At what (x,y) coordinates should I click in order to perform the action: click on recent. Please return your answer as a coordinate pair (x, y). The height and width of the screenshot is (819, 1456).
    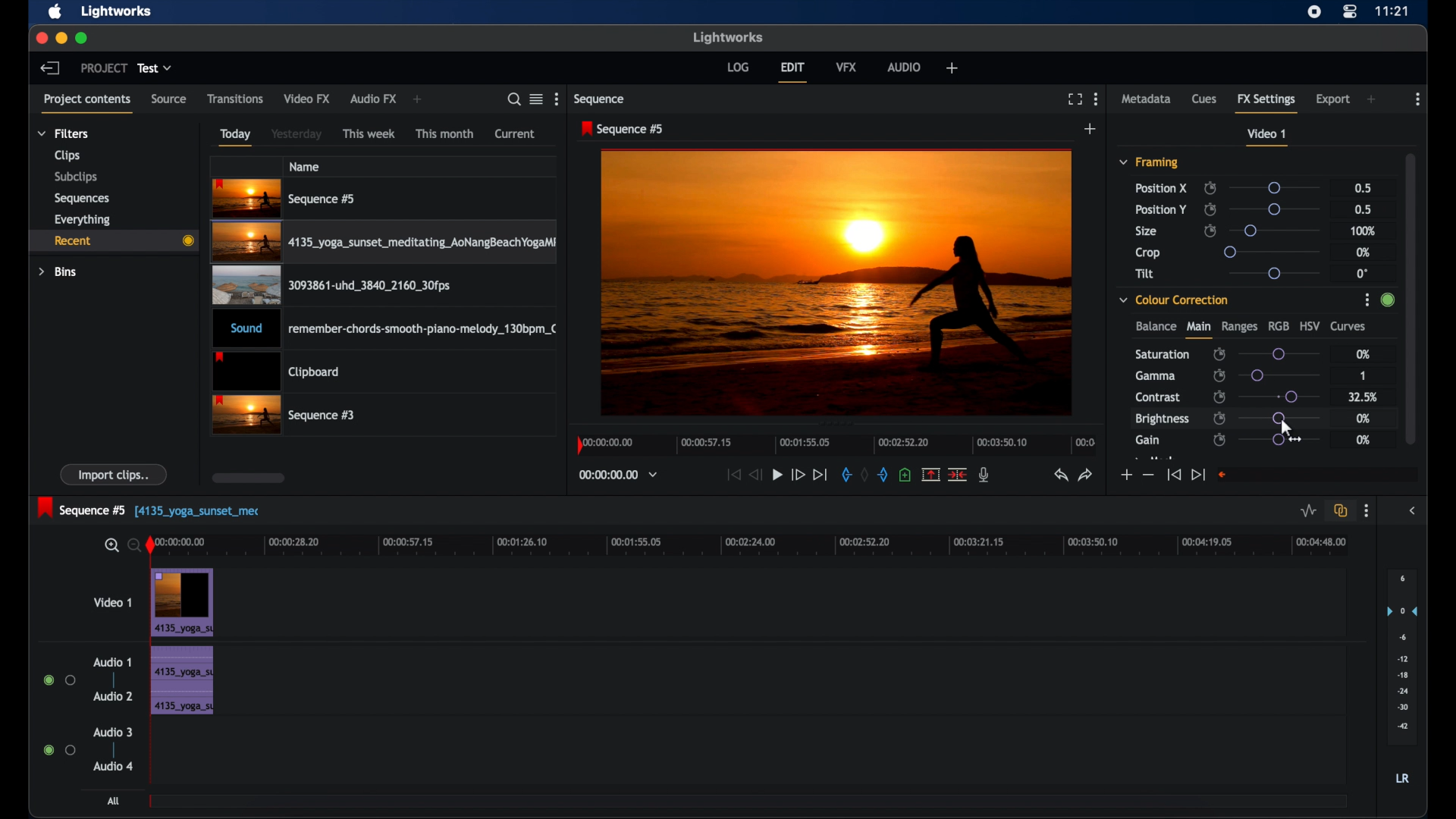
    Looking at the image, I should click on (112, 241).